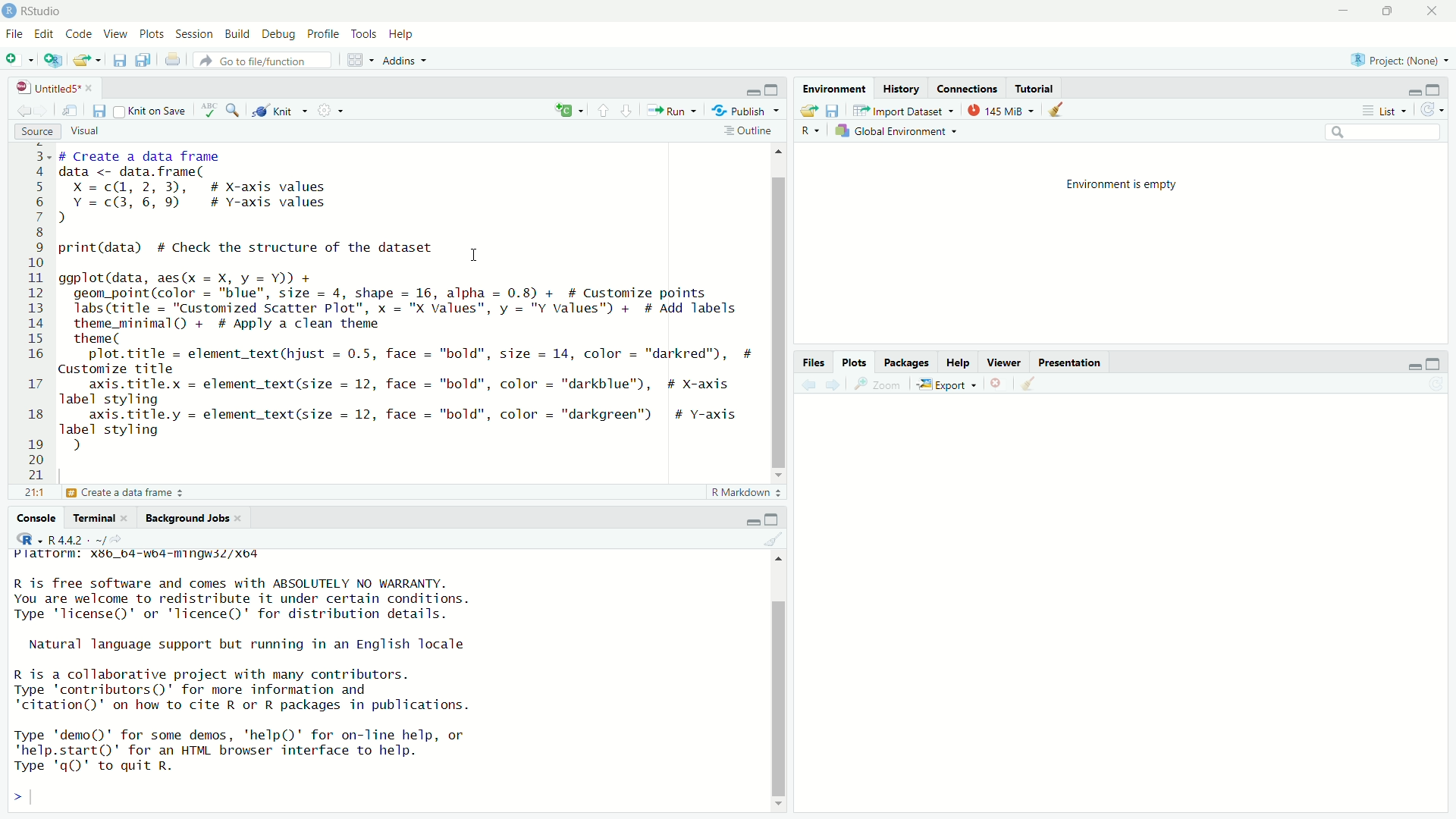  Describe the element at coordinates (904, 111) in the screenshot. I see `Import dataset` at that location.